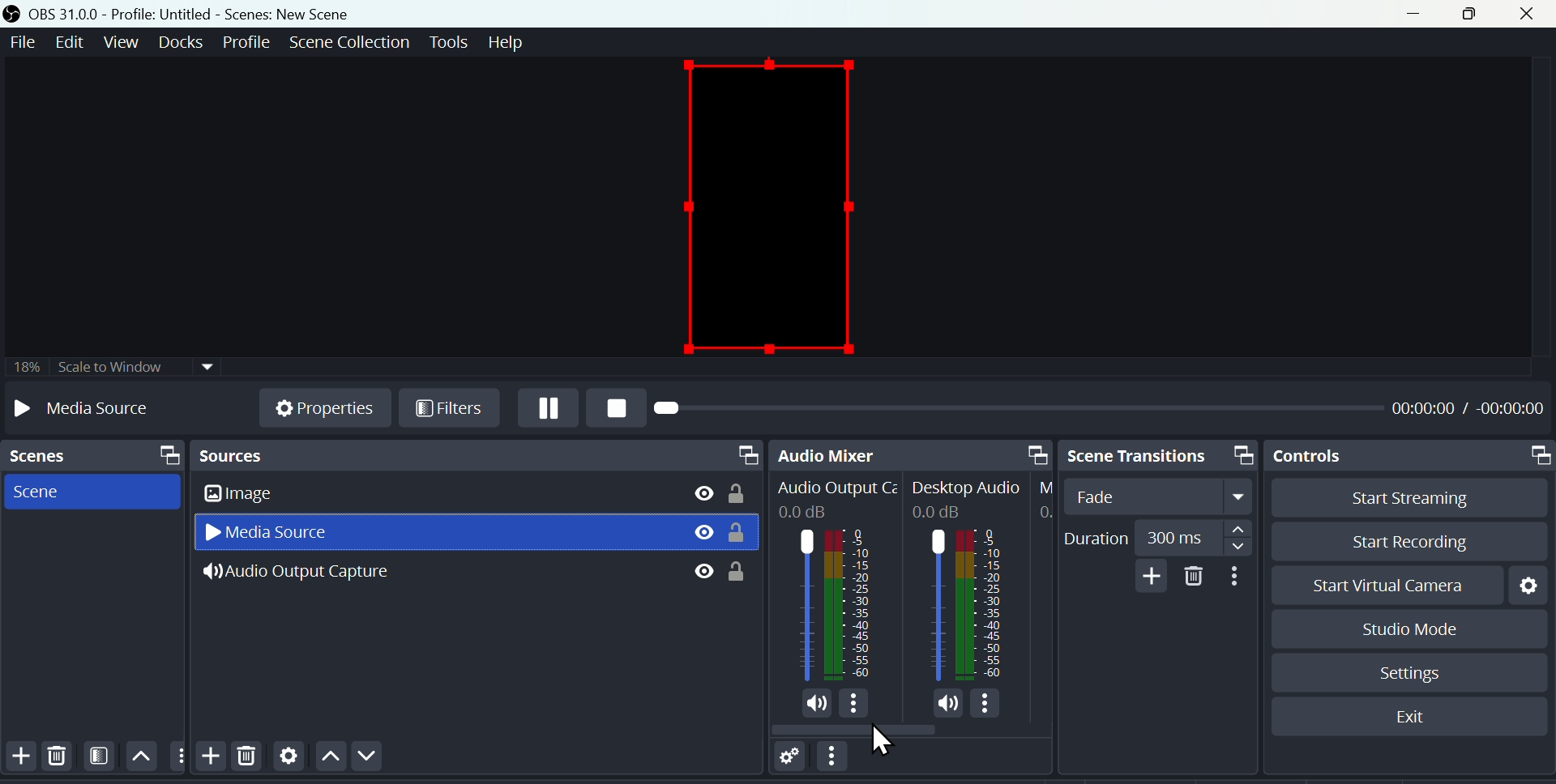 This screenshot has width=1556, height=784. I want to click on Lock unlock, so click(741, 569).